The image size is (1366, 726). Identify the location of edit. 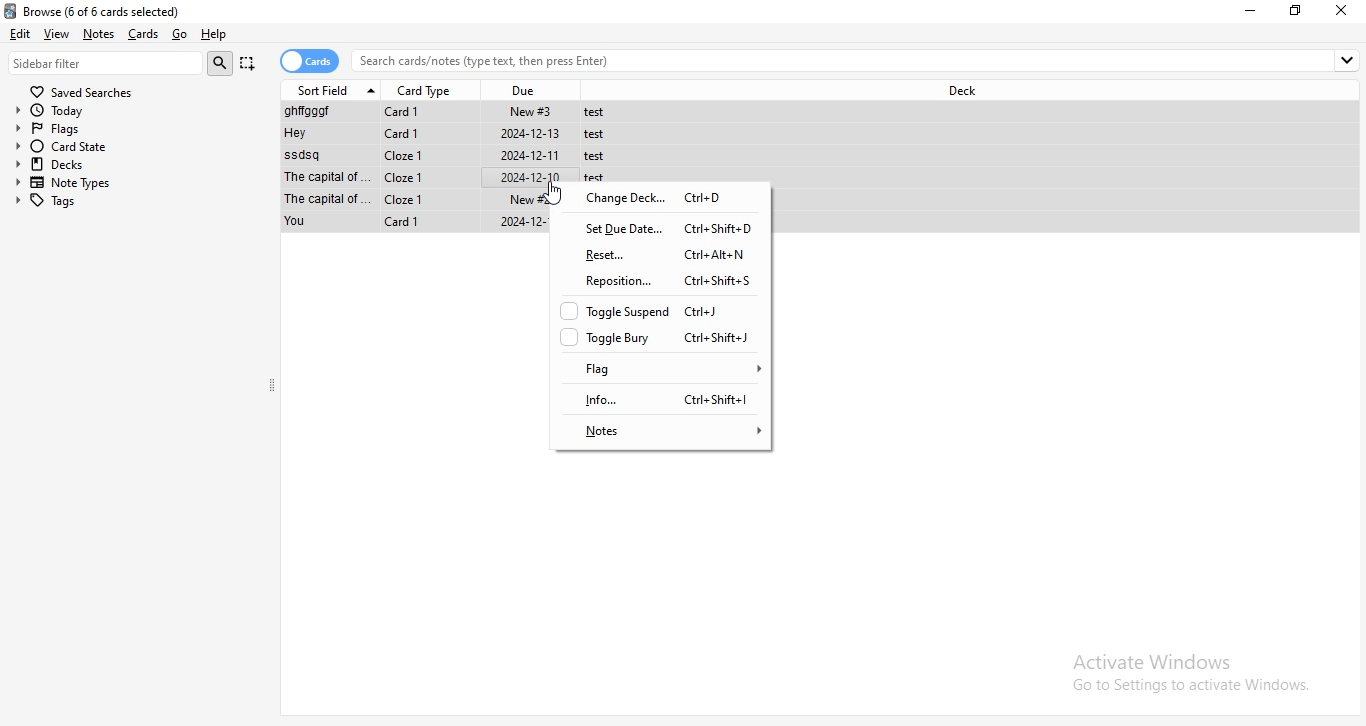
(21, 35).